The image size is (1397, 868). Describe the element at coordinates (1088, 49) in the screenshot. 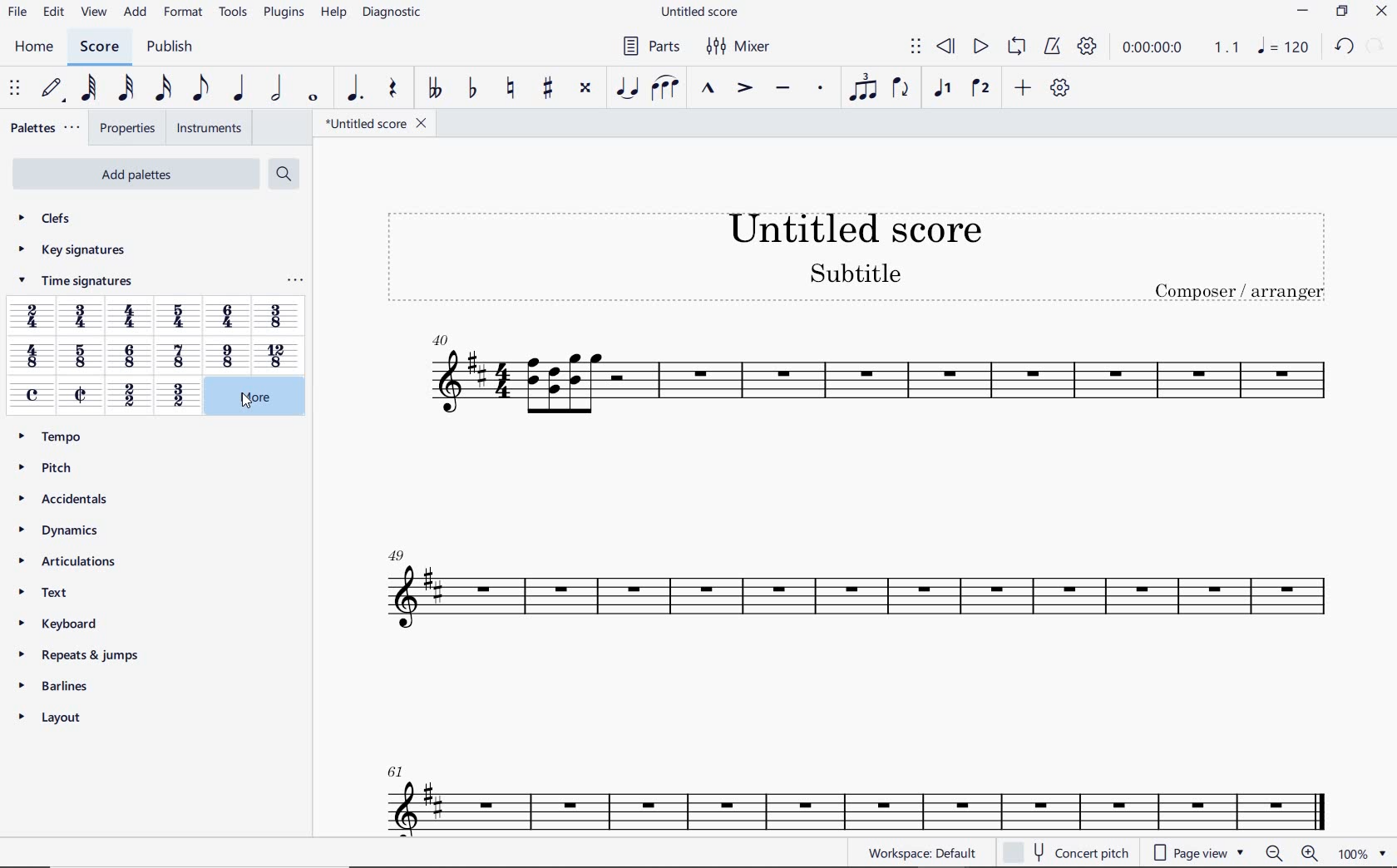

I see `PLAYBACK SETTINGS` at that location.